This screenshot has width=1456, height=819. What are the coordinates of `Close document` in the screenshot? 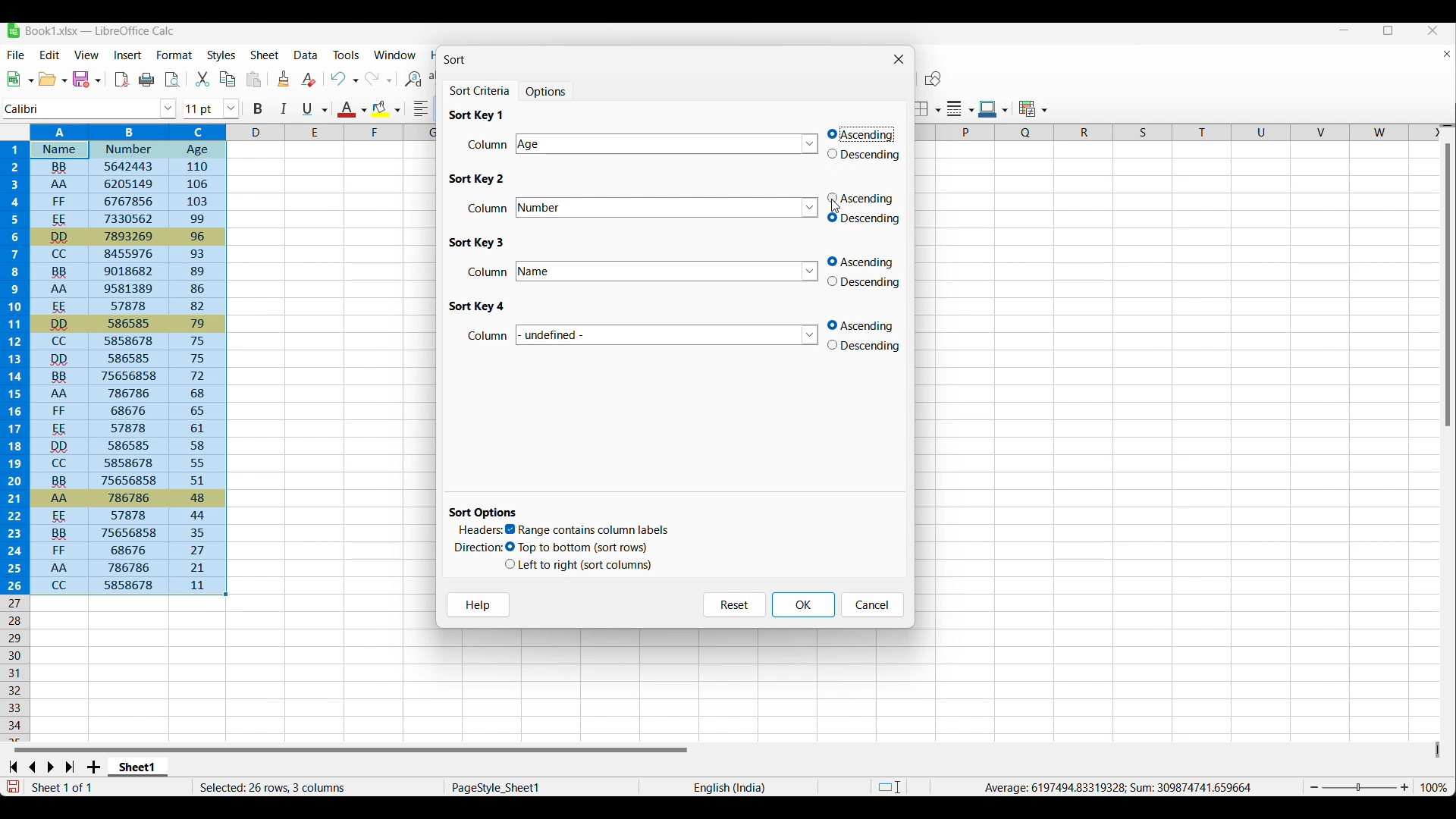 It's located at (1447, 54).